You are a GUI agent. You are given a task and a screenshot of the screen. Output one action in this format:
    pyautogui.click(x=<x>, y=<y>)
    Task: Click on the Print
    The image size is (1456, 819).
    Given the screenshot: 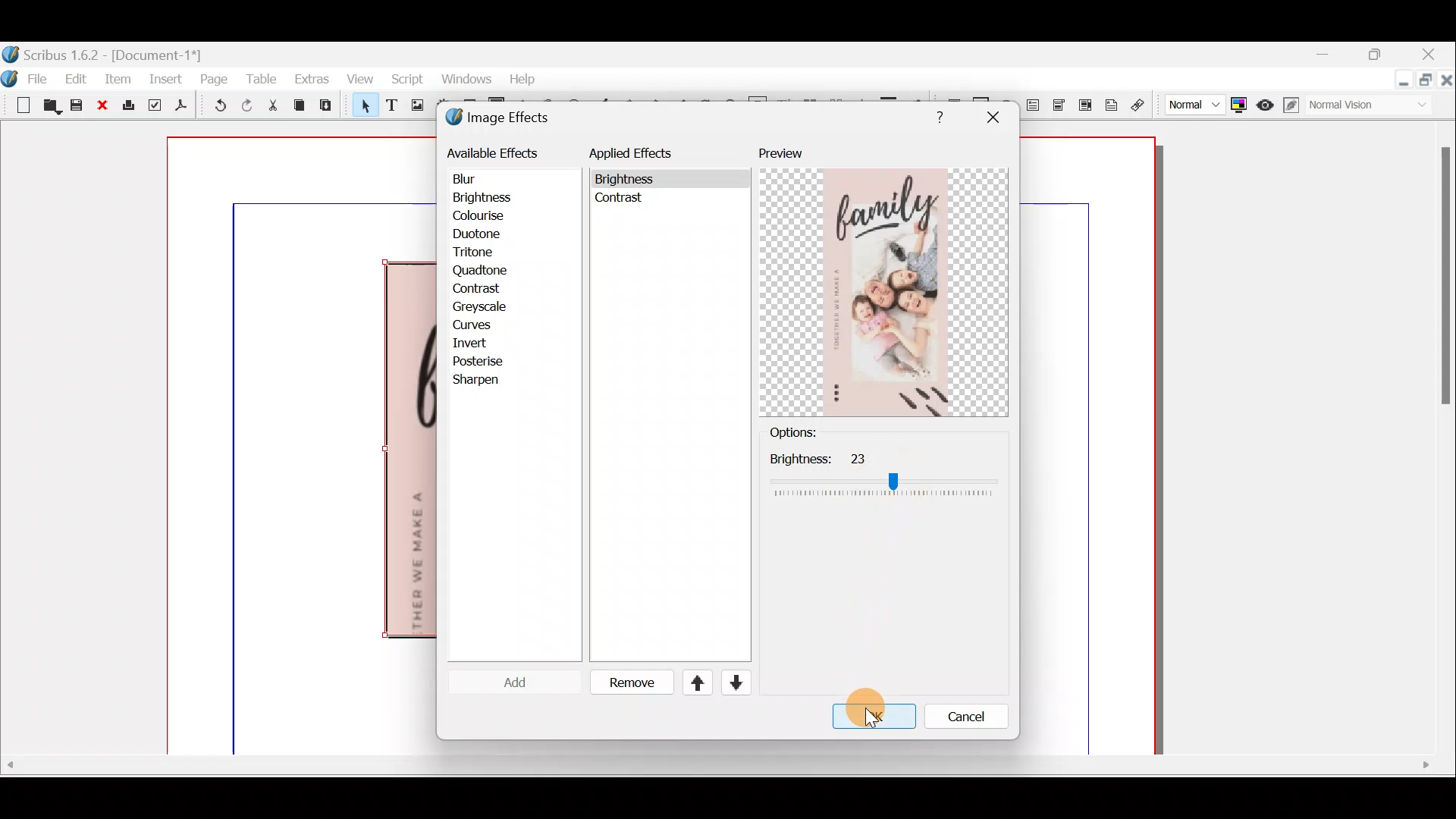 What is the action you would take?
    pyautogui.click(x=127, y=106)
    